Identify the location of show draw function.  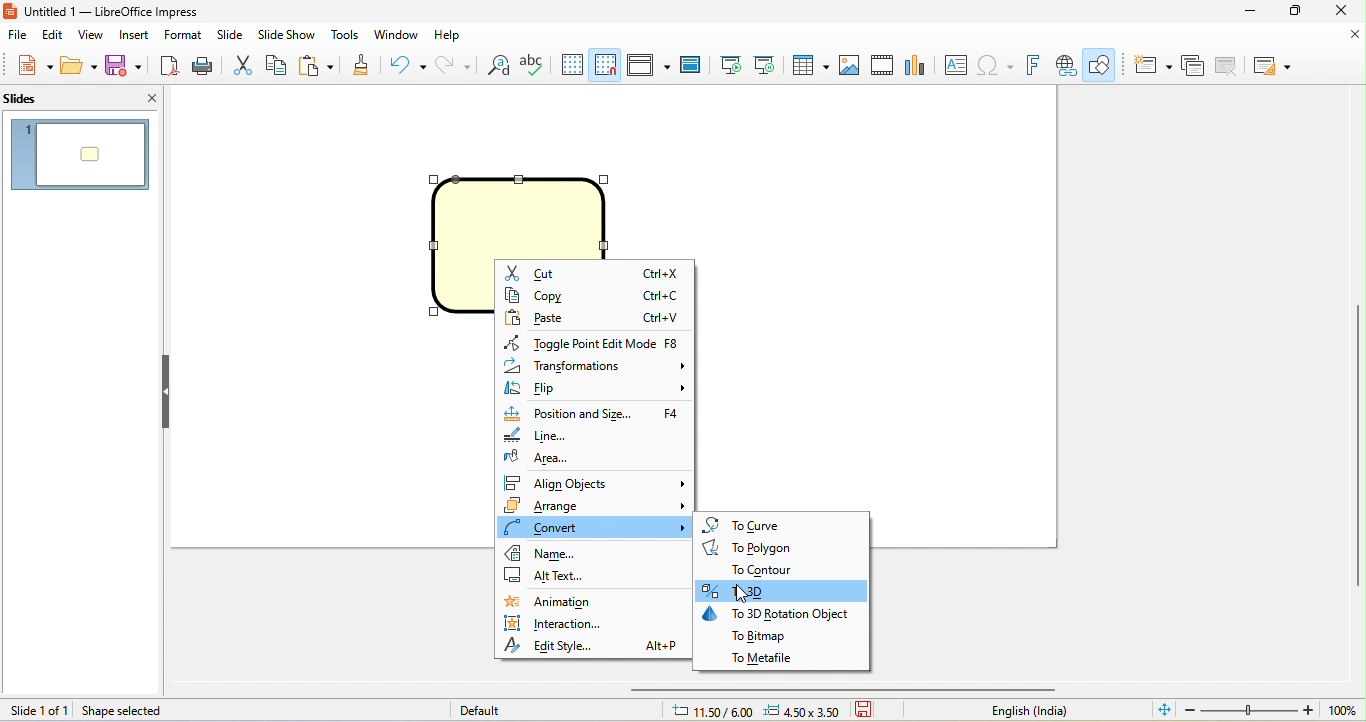
(1102, 65).